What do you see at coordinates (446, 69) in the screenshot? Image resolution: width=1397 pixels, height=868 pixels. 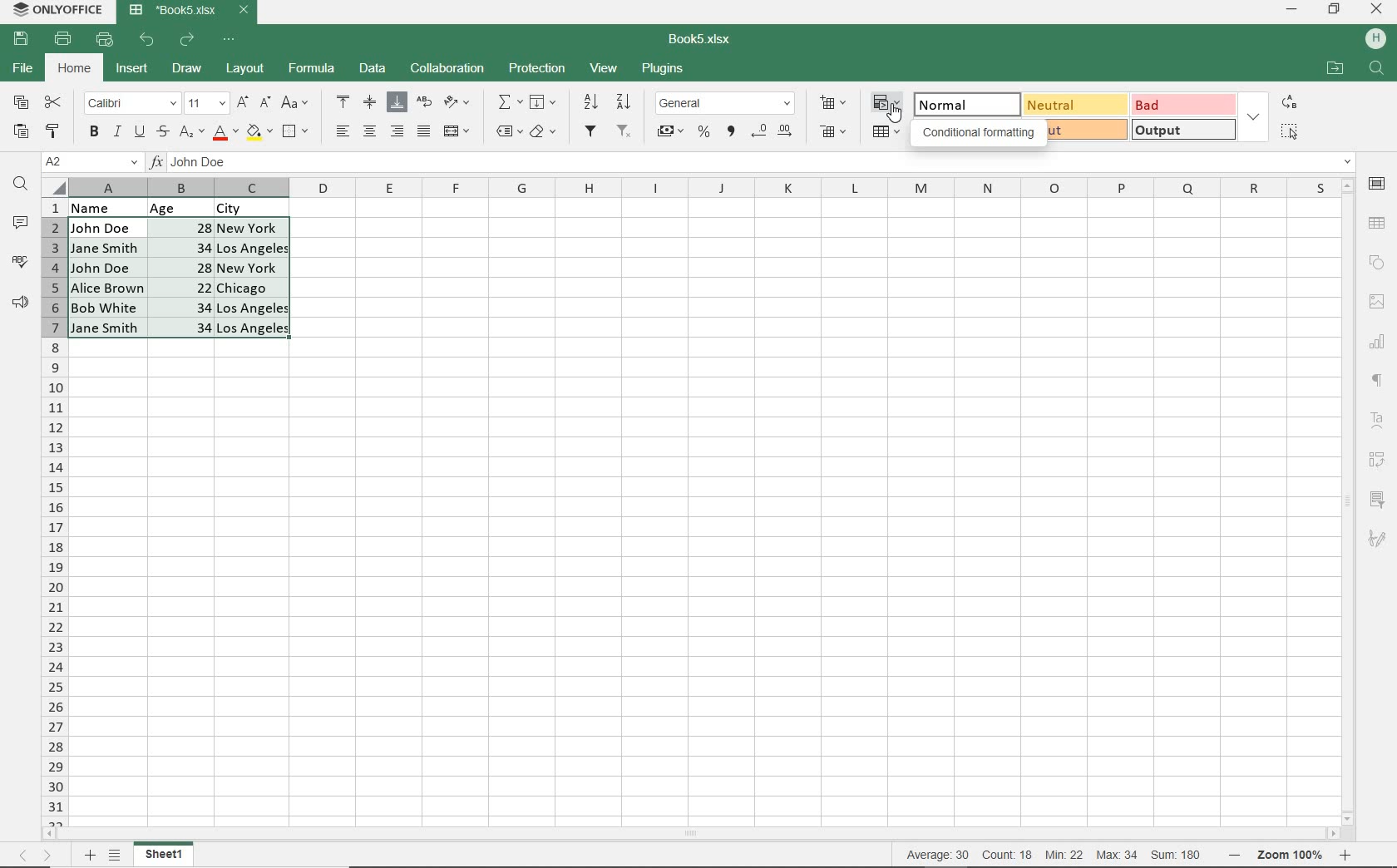 I see `COLLABORATION` at bounding box center [446, 69].